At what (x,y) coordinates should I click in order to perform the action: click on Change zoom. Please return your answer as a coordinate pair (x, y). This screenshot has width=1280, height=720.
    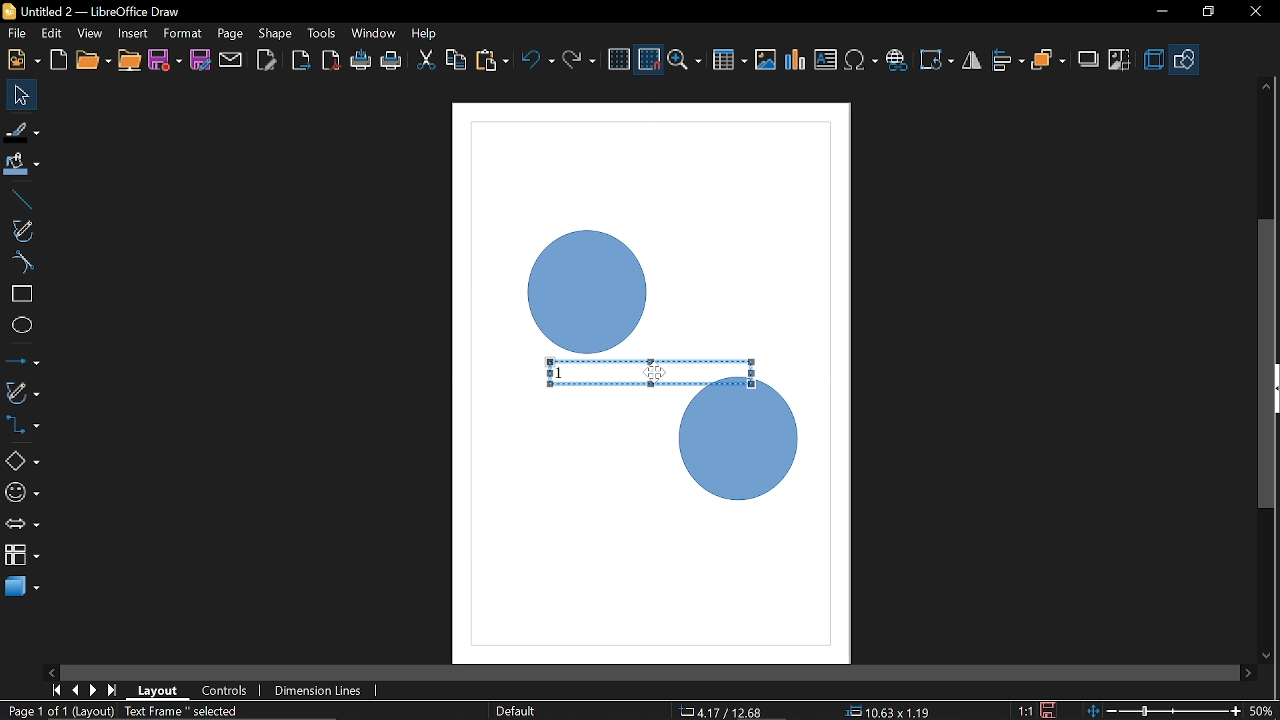
    Looking at the image, I should click on (1166, 709).